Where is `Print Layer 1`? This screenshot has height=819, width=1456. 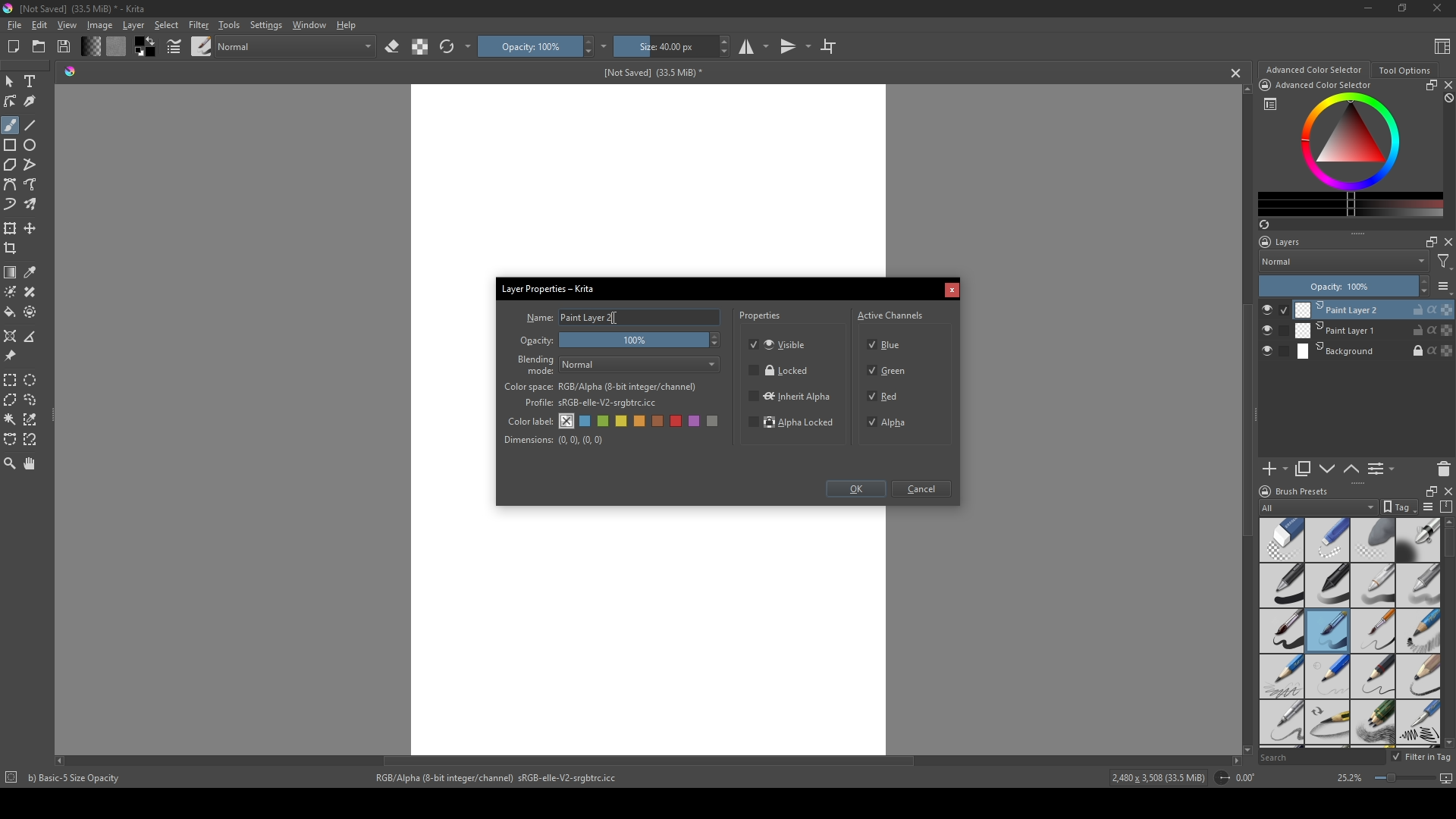
Print Layer 1 is located at coordinates (1374, 331).